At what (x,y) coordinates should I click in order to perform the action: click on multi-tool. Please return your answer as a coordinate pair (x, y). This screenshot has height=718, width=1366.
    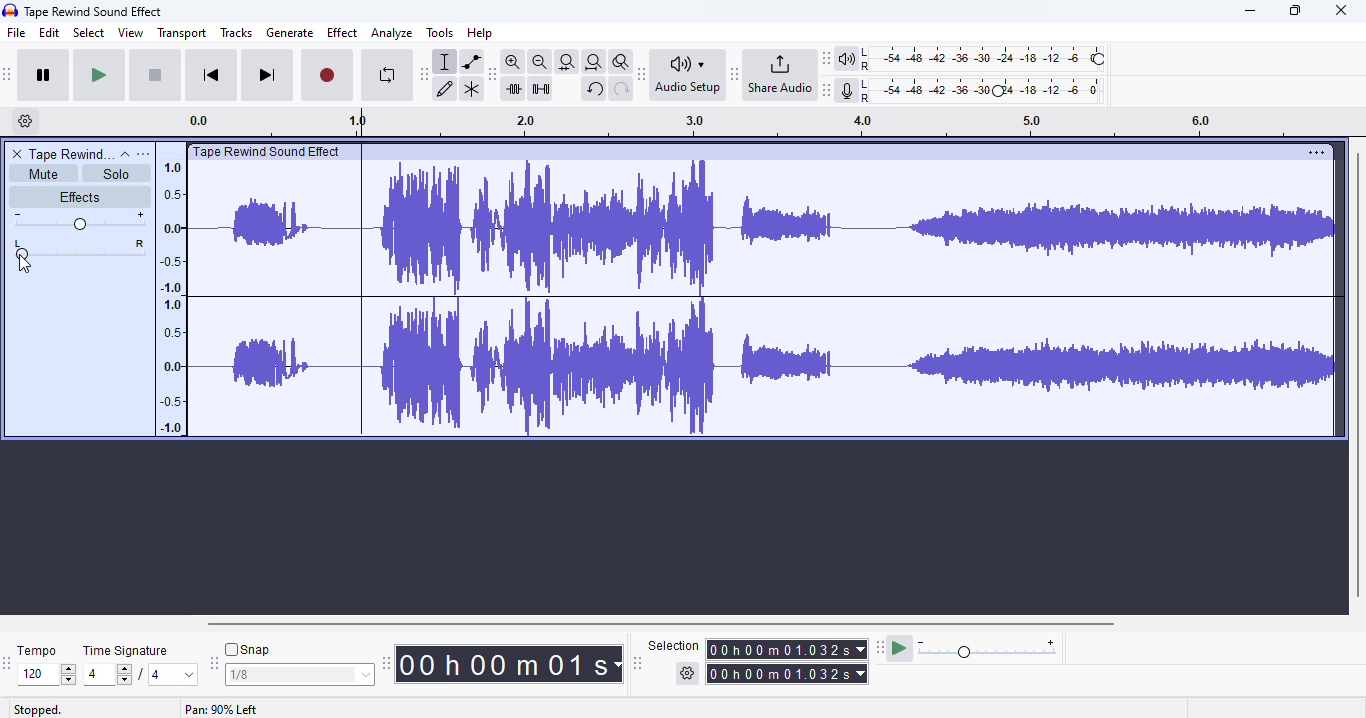
    Looking at the image, I should click on (472, 90).